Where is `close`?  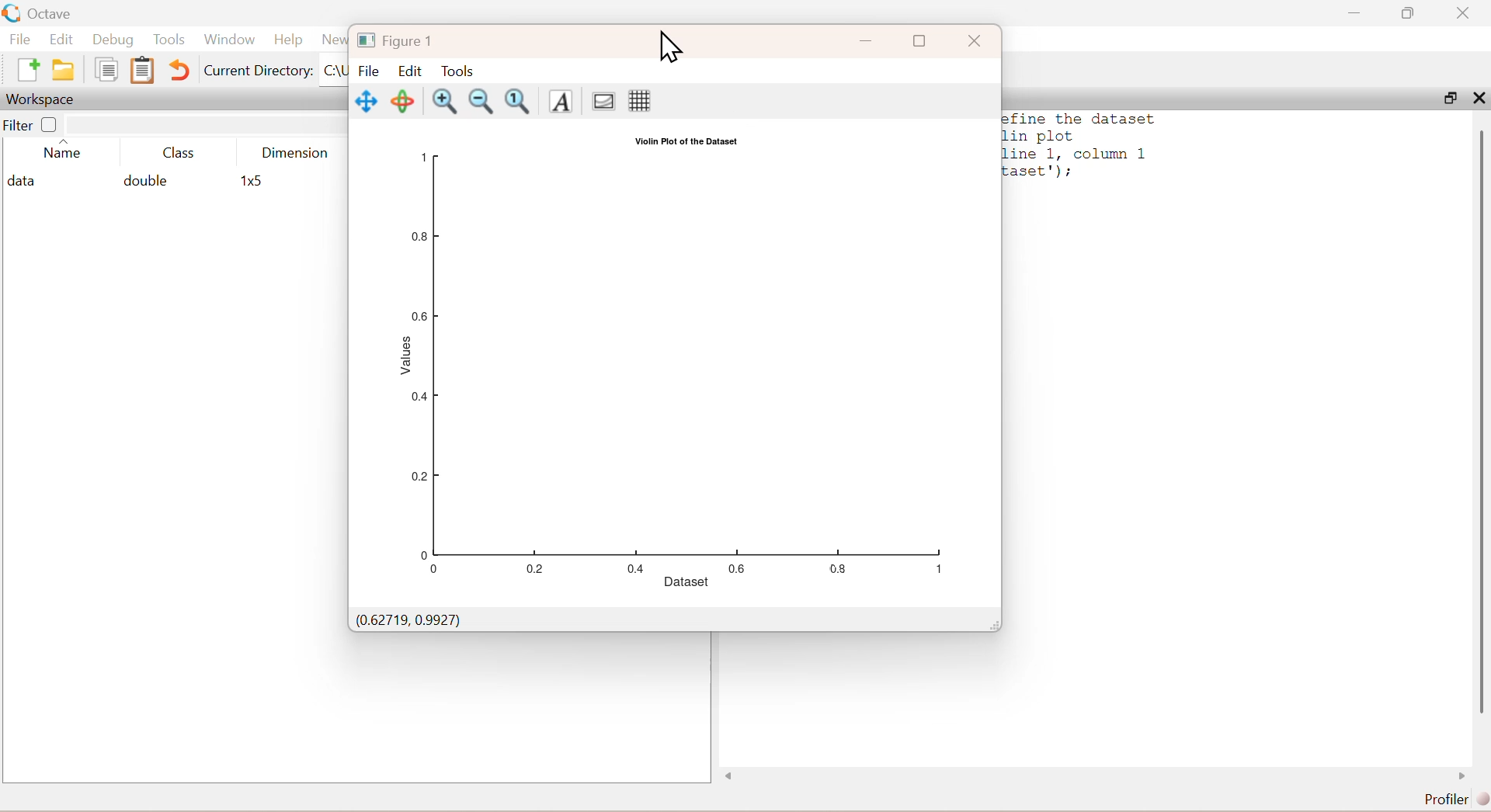 close is located at coordinates (1479, 98).